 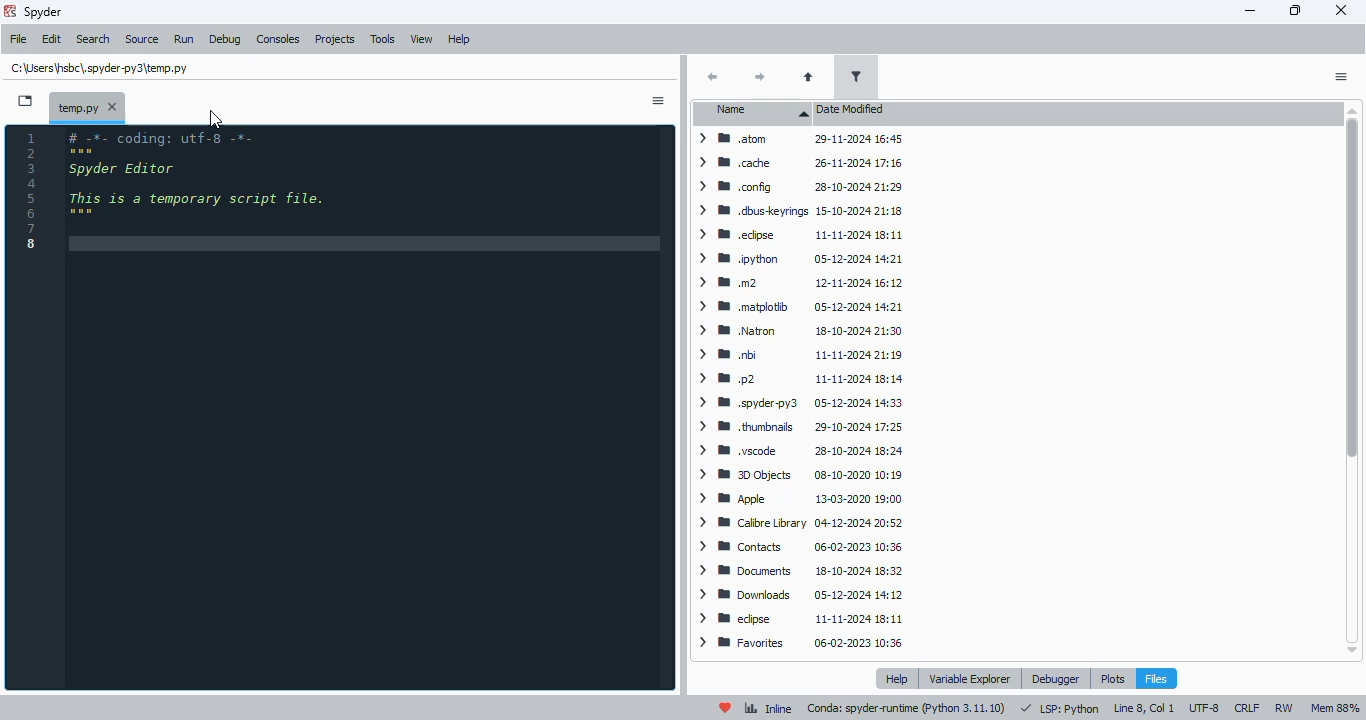 I want to click on parent, so click(x=810, y=78).